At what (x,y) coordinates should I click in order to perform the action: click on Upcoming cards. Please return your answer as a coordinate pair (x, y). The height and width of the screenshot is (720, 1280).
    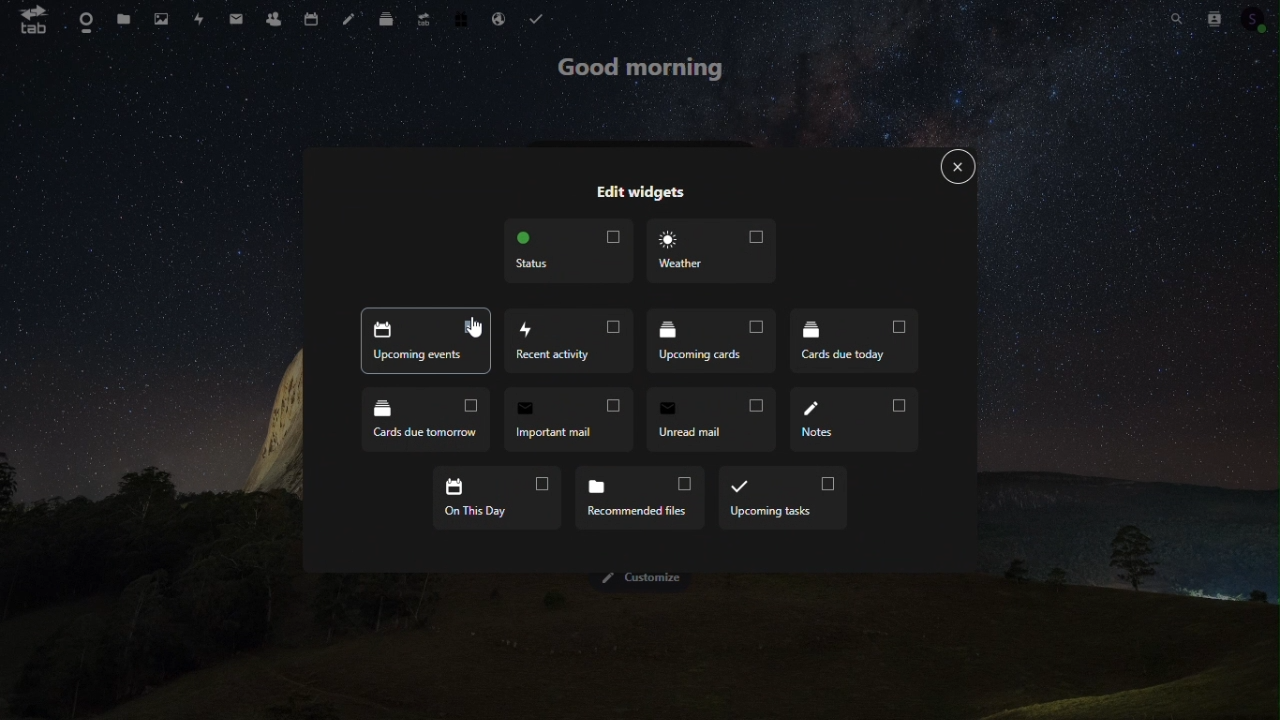
    Looking at the image, I should click on (714, 342).